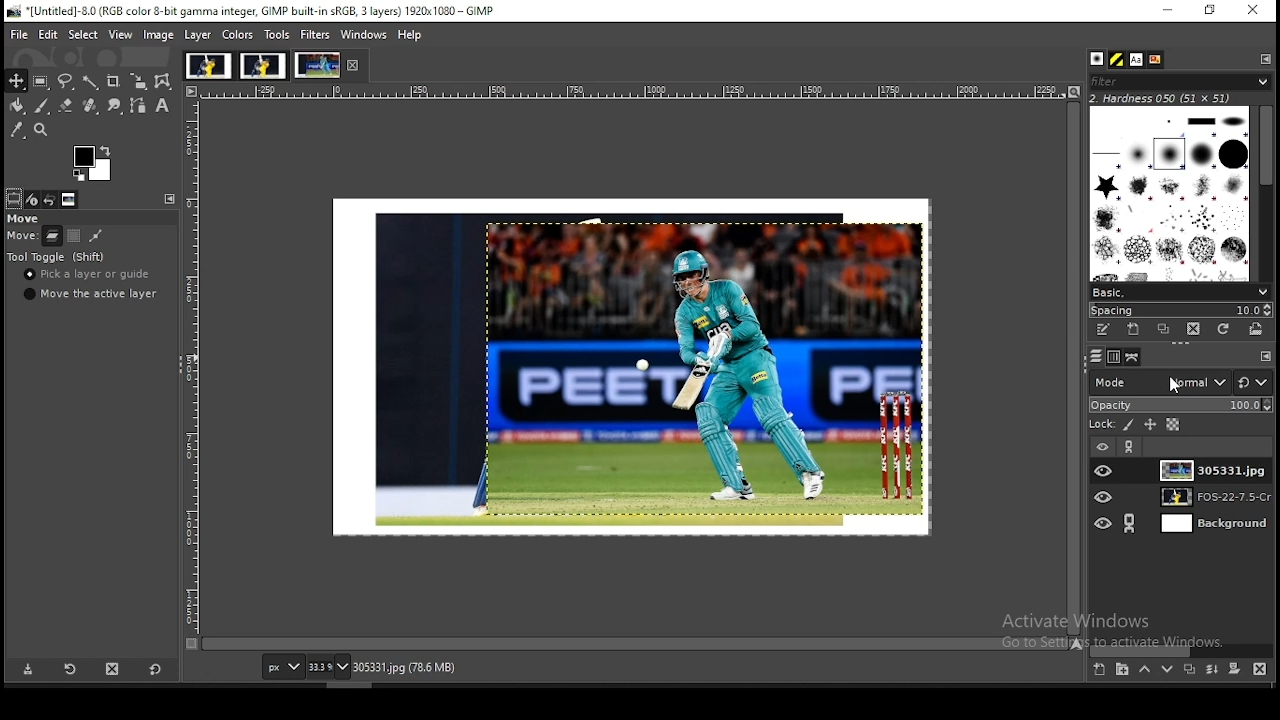  I want to click on duplicate this brush, so click(1167, 329).